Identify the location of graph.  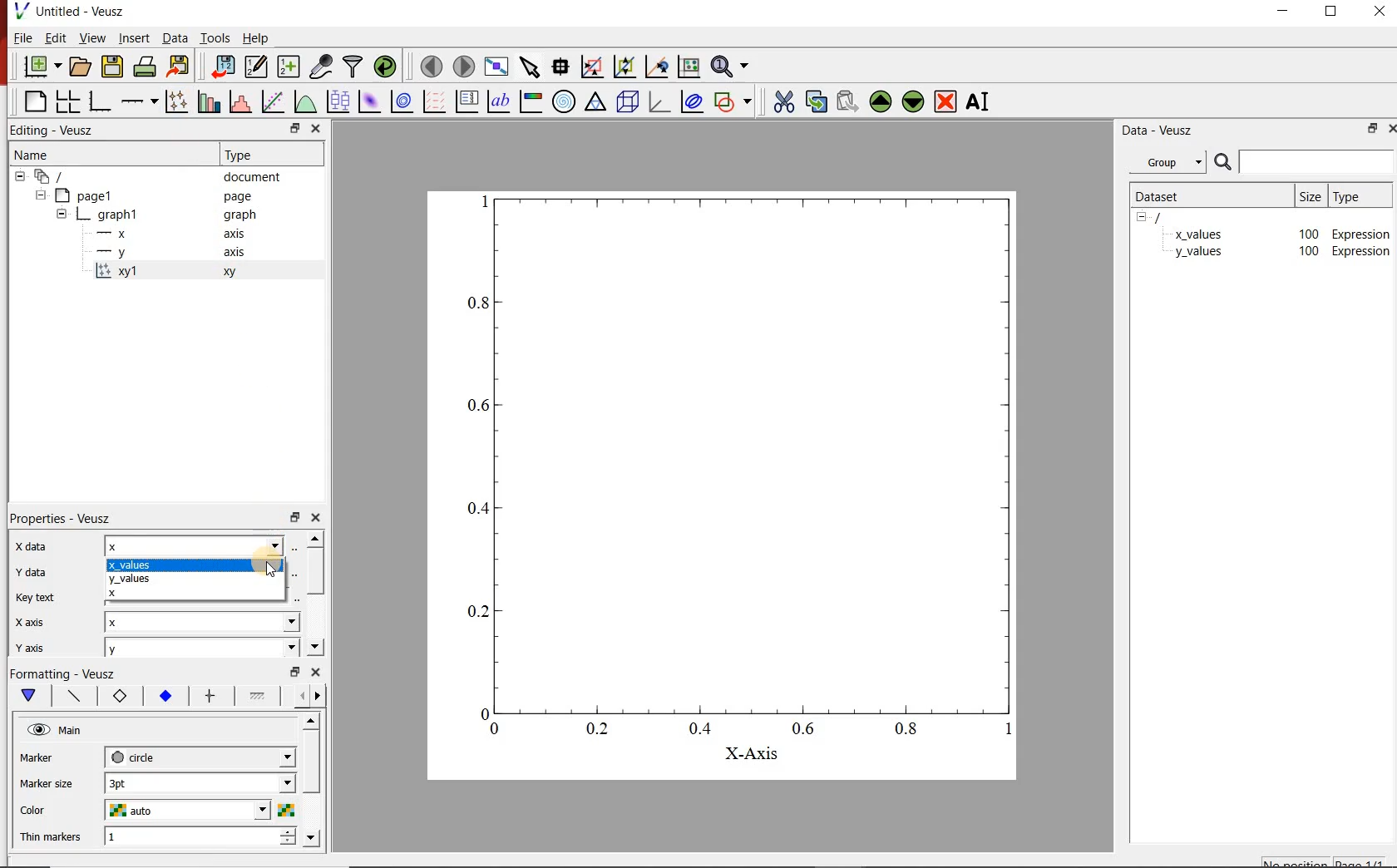
(239, 215).